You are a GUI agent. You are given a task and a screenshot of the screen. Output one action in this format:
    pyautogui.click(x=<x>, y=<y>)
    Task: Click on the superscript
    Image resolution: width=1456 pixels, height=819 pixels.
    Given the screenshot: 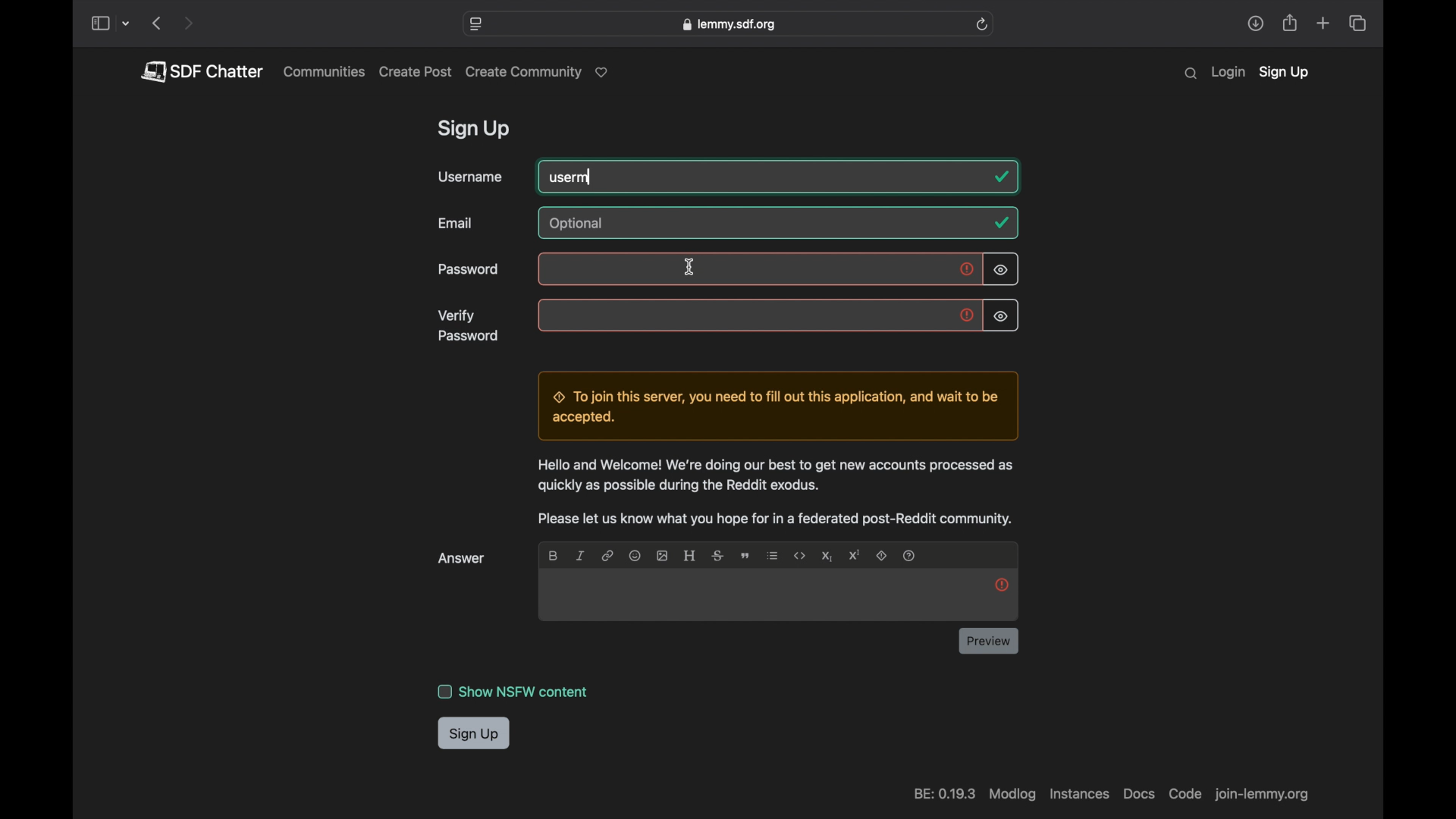 What is the action you would take?
    pyautogui.click(x=855, y=555)
    